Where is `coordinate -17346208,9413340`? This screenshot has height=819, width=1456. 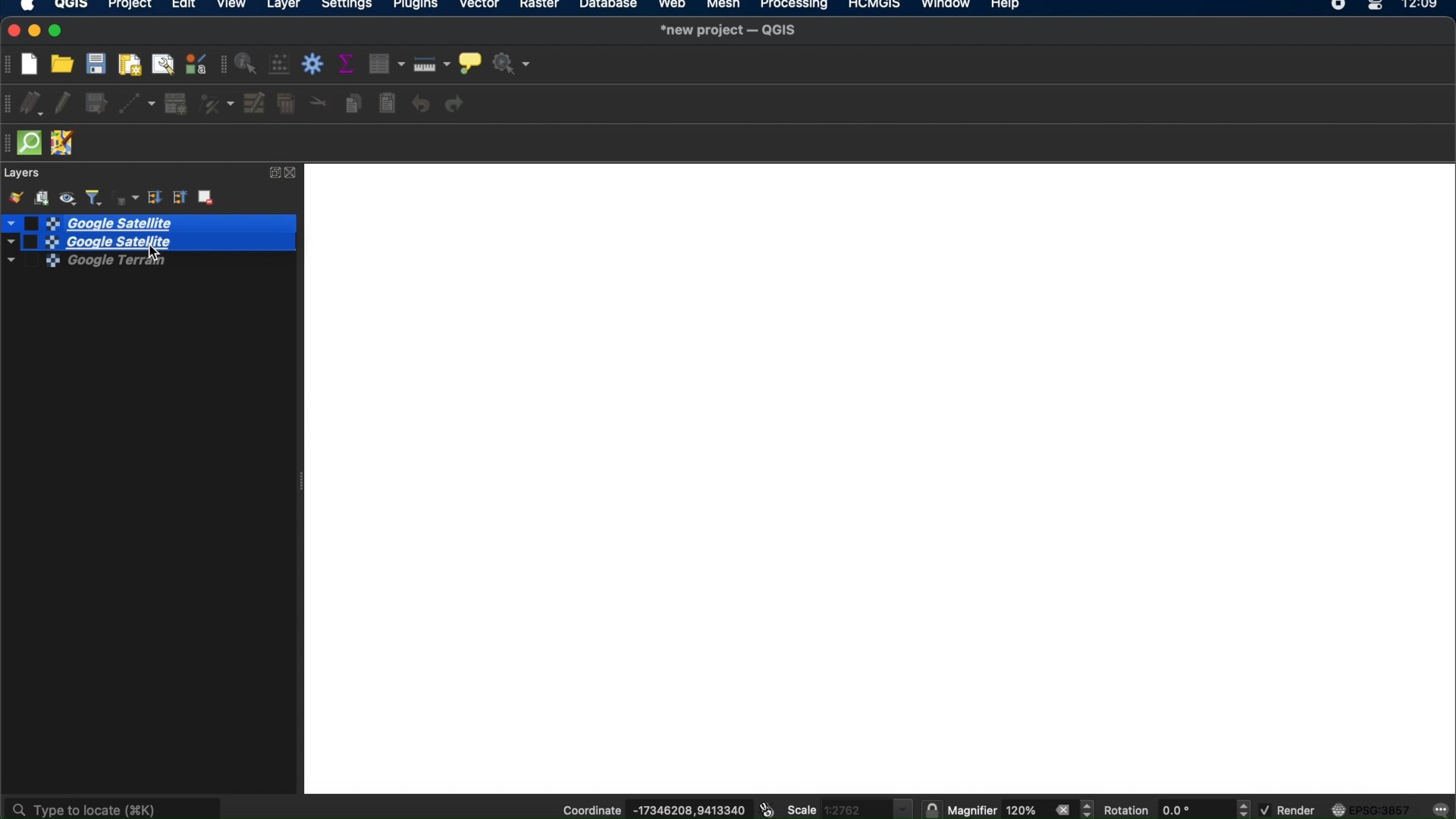
coordinate -17346208,9413340 is located at coordinates (648, 811).